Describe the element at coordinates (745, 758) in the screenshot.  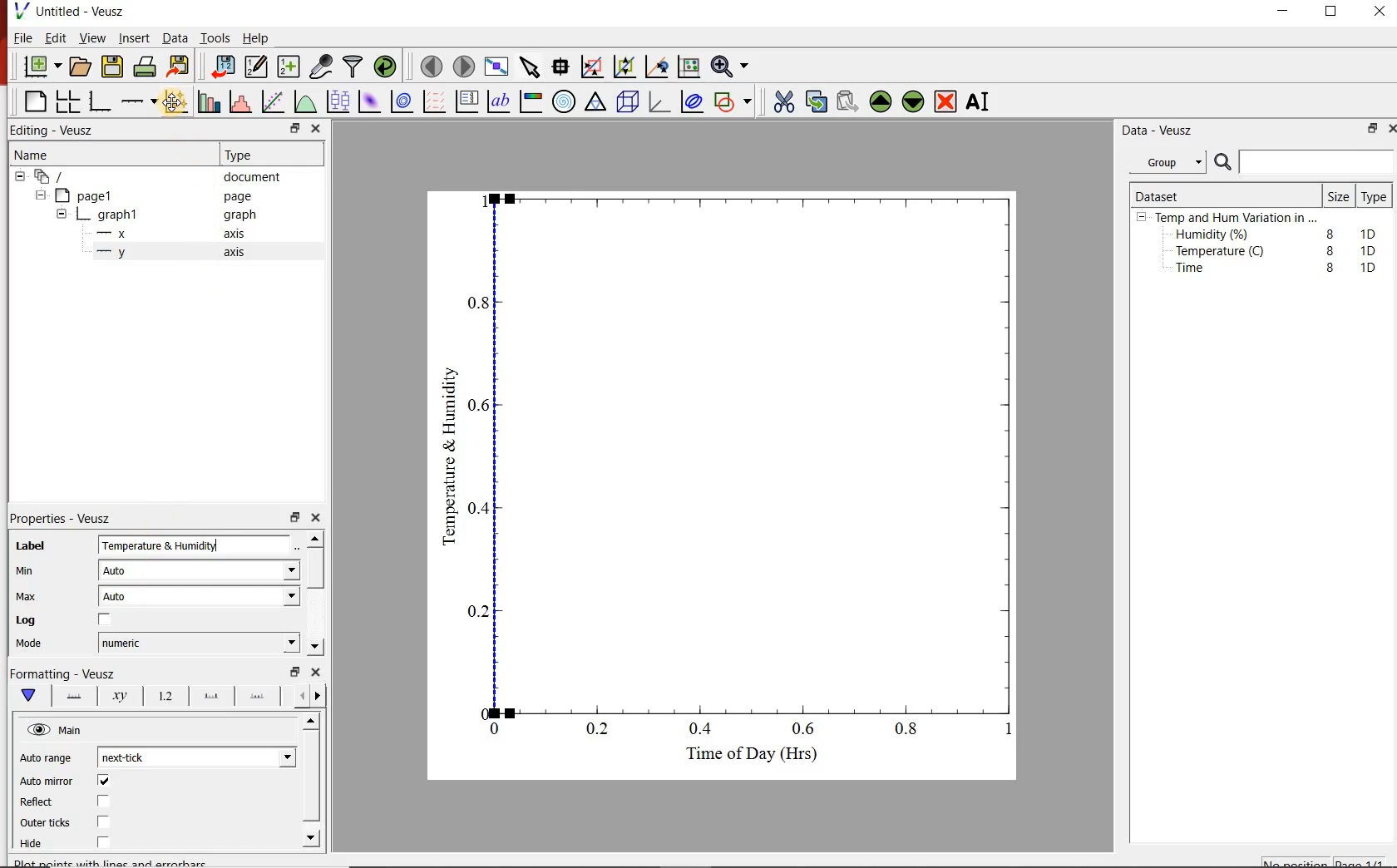
I see `Time of Day (Hrs)` at that location.